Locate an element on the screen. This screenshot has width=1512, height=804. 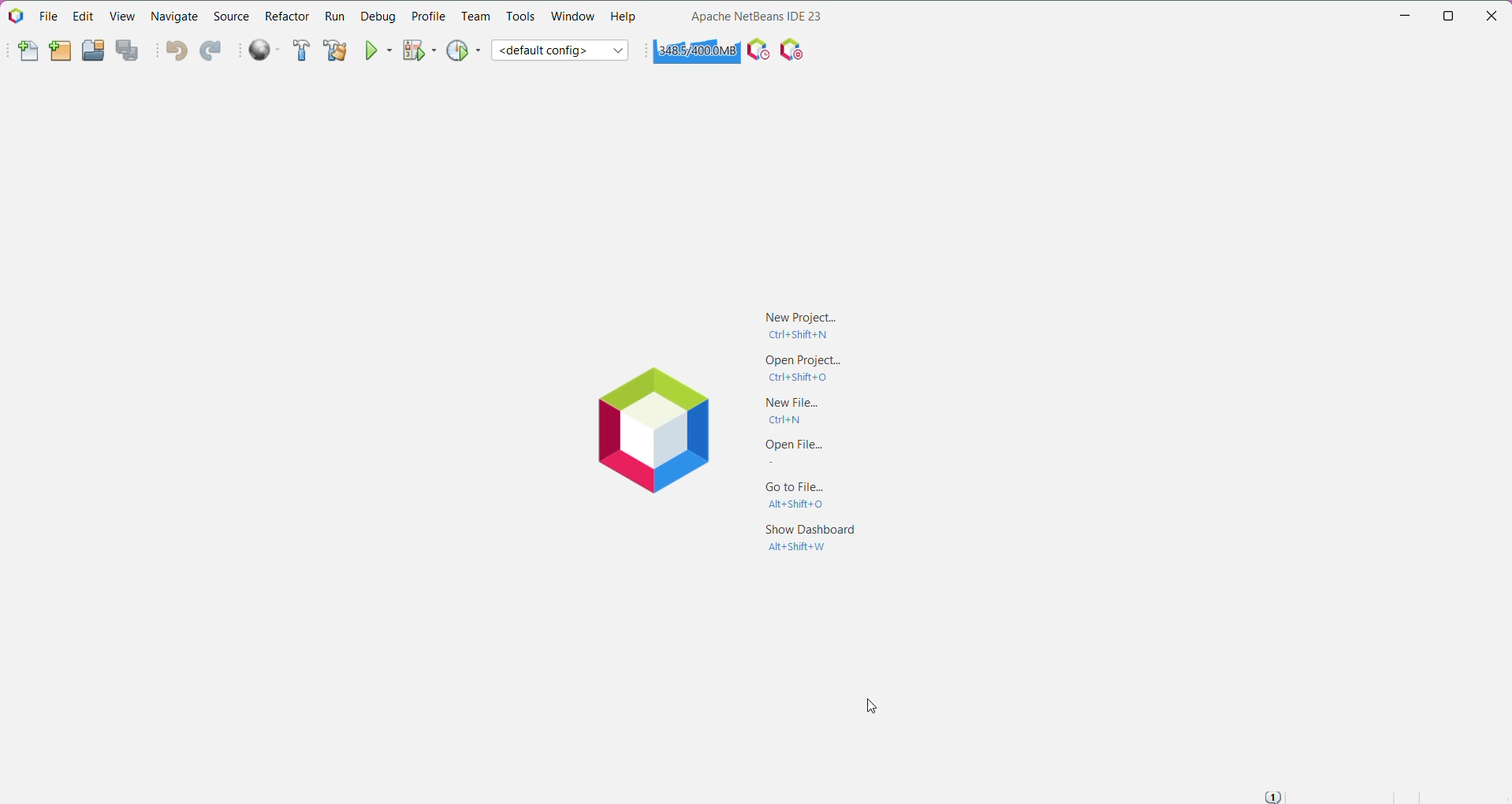
Go to File is located at coordinates (799, 496).